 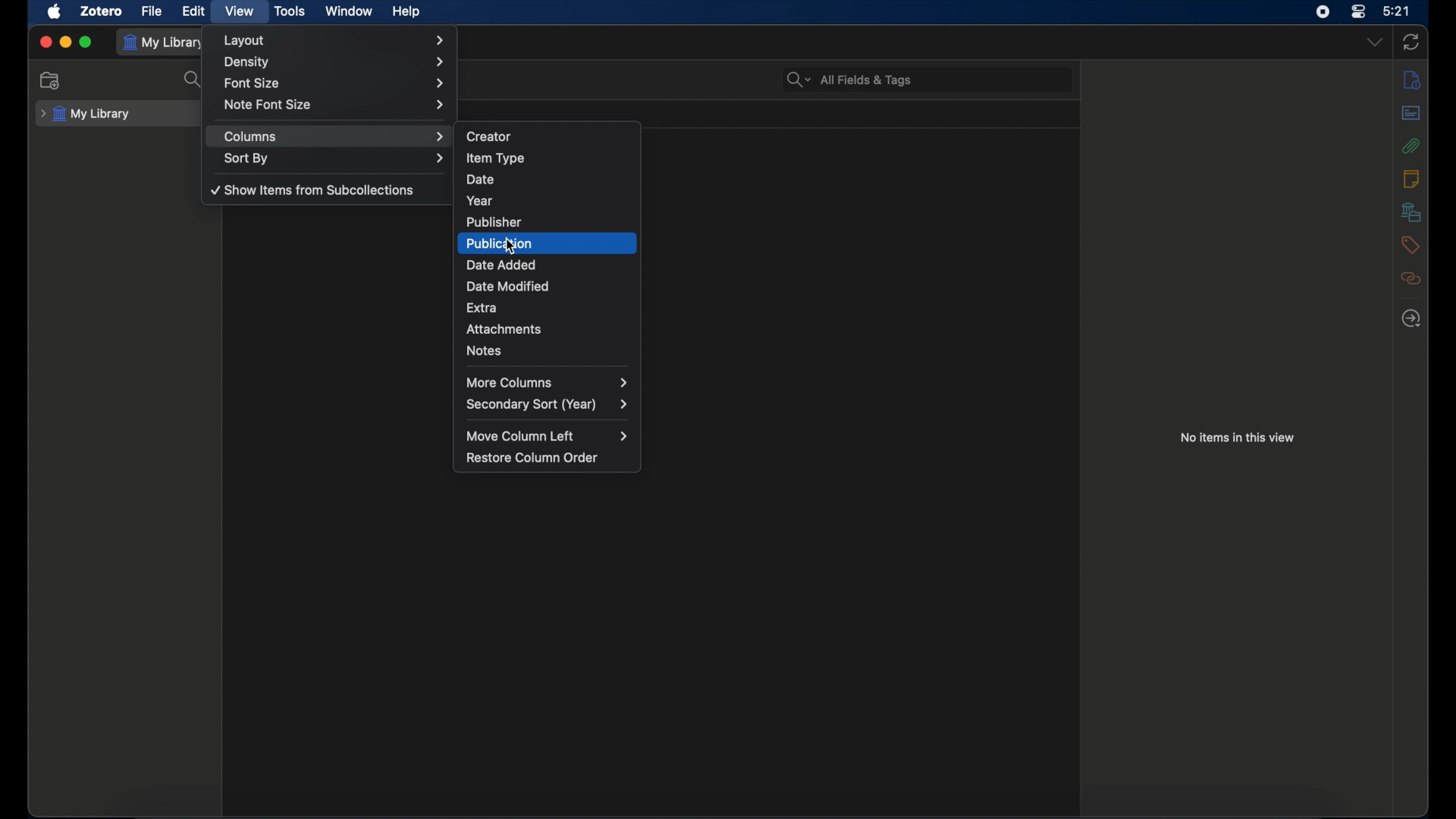 What do you see at coordinates (551, 327) in the screenshot?
I see `attachments` at bounding box center [551, 327].